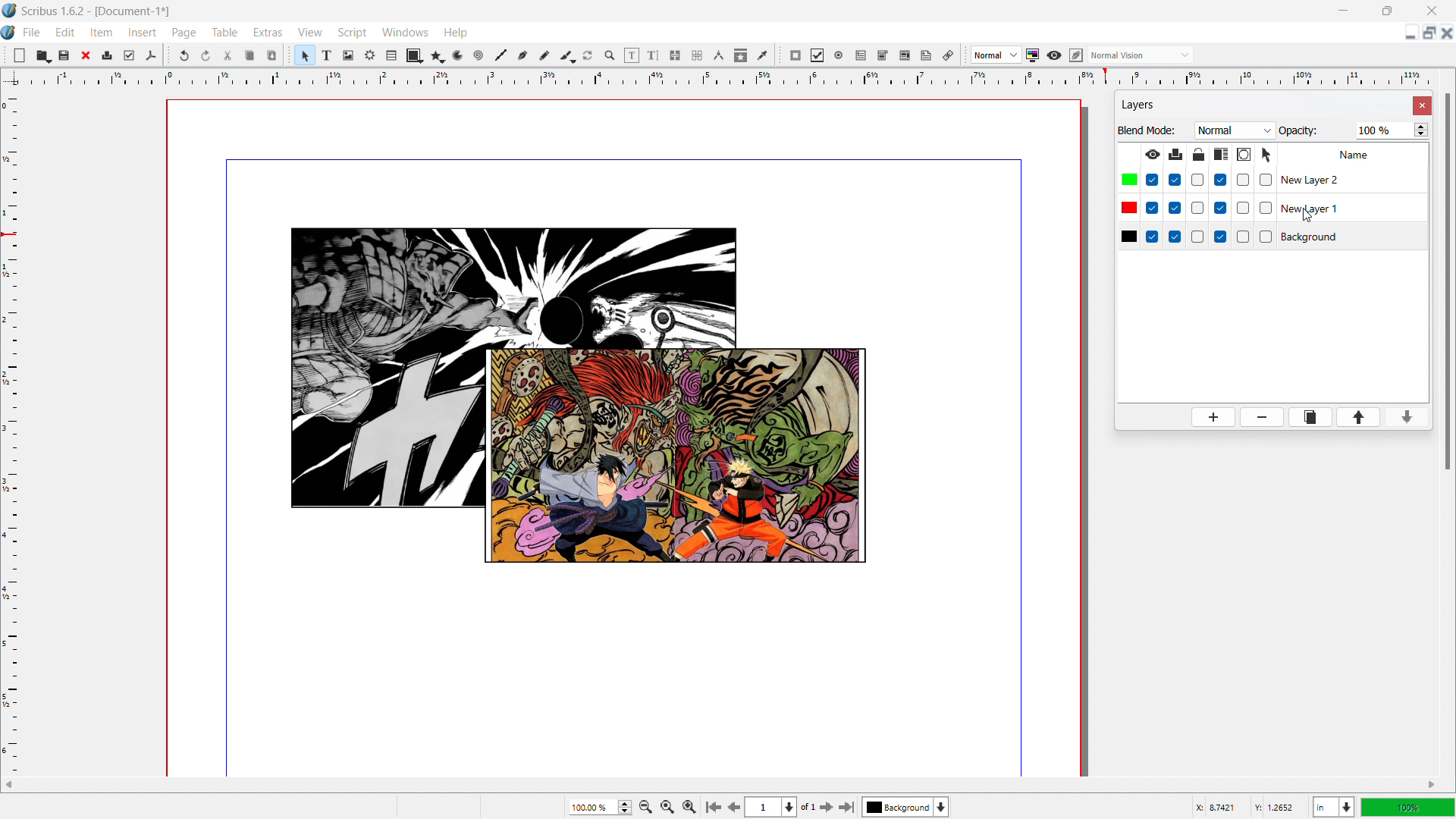  What do you see at coordinates (839, 55) in the screenshot?
I see `pdf radio button` at bounding box center [839, 55].